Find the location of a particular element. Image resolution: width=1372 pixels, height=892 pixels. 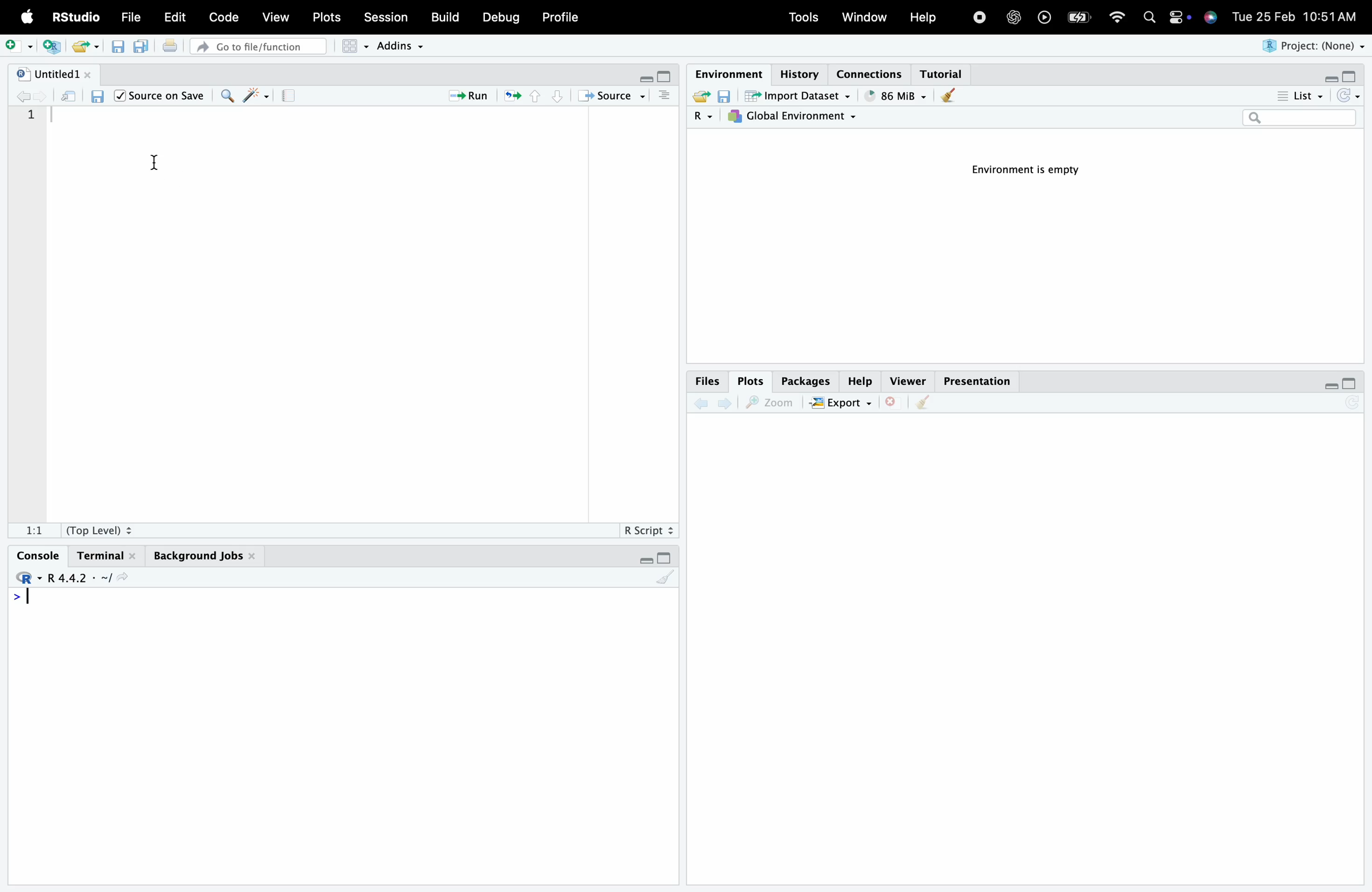

clear is located at coordinates (949, 96).